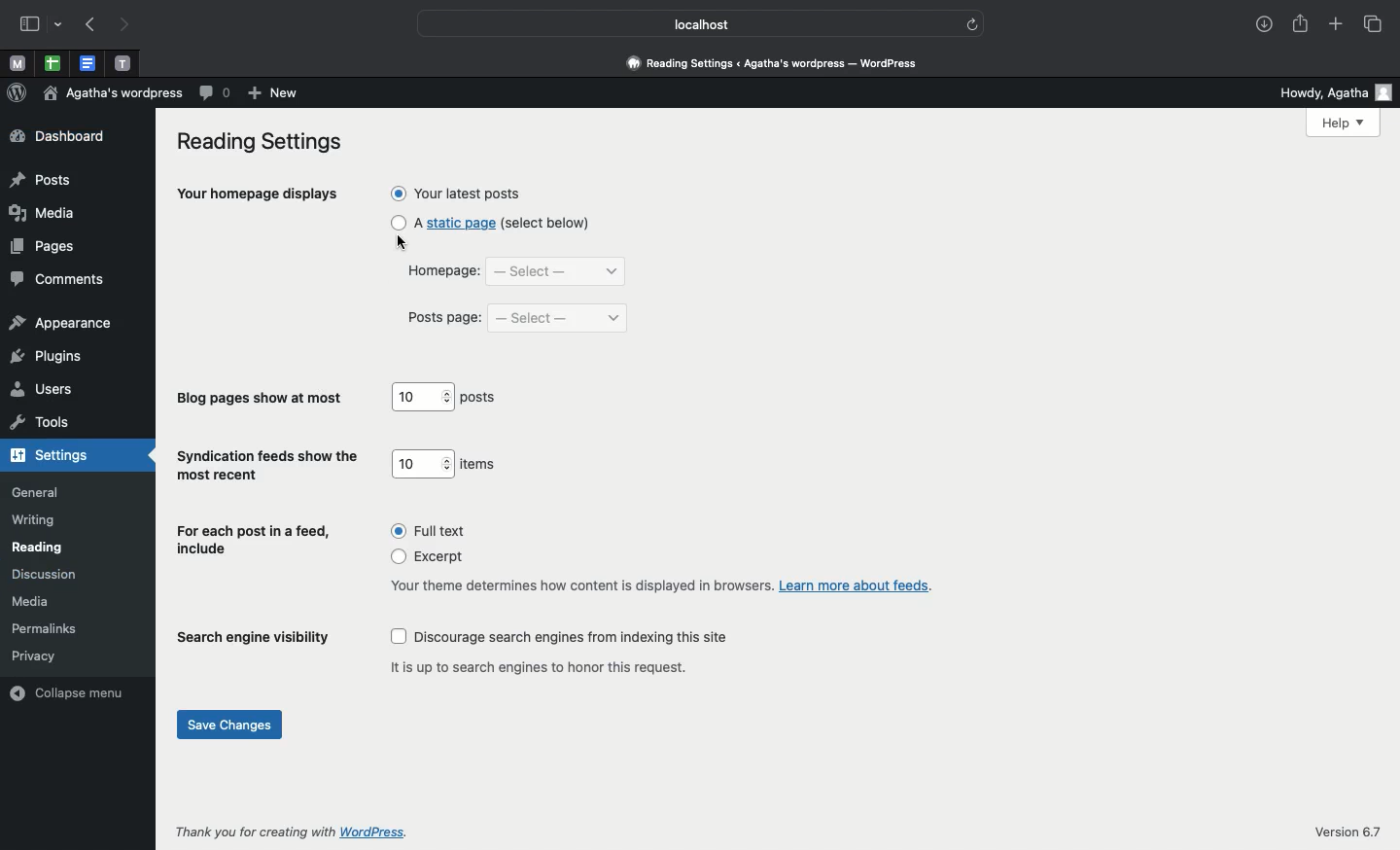  I want to click on Syndication feeds show the most recent, so click(268, 466).